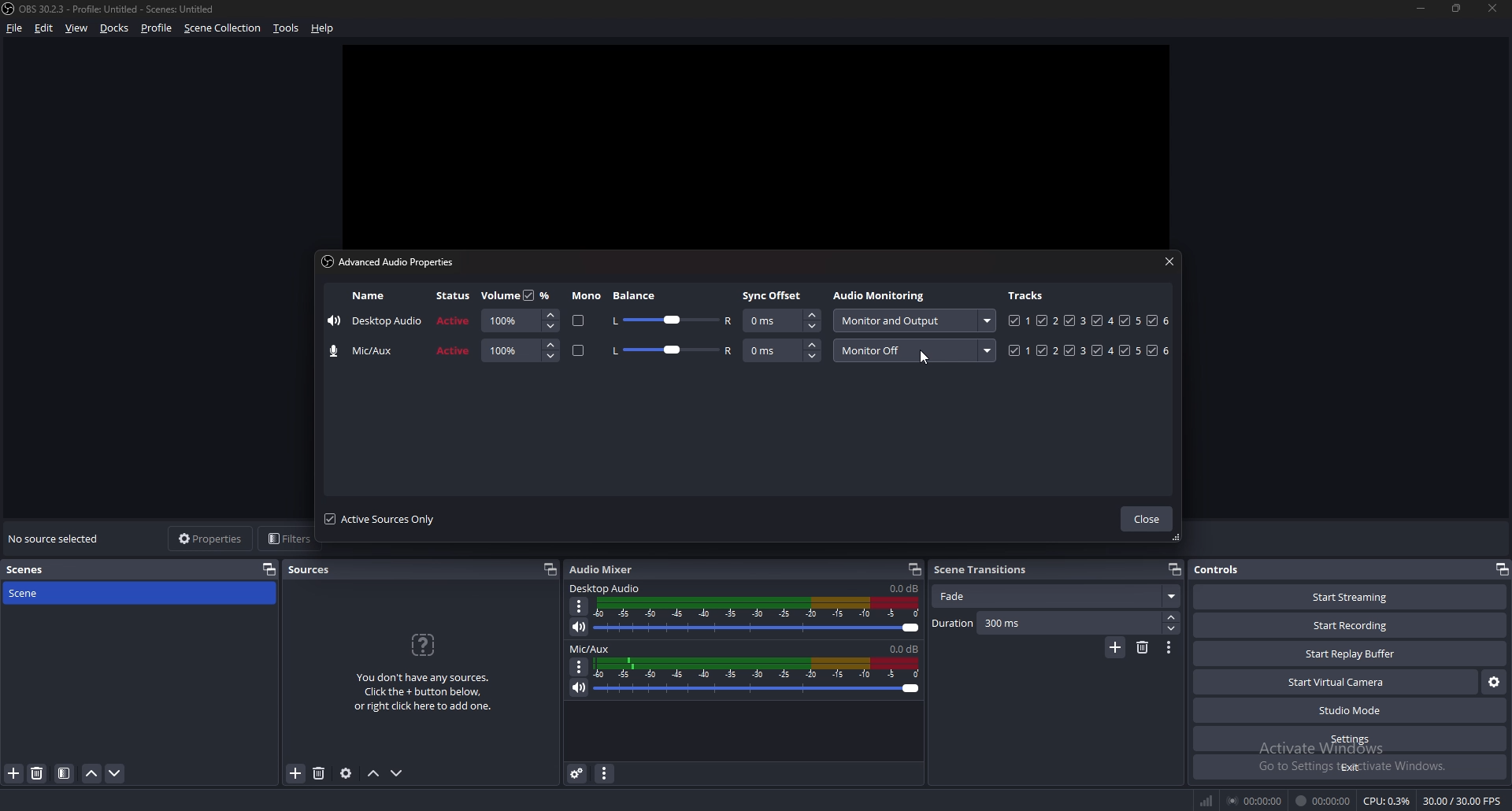  What do you see at coordinates (520, 351) in the screenshot?
I see `volume adjust` at bounding box center [520, 351].